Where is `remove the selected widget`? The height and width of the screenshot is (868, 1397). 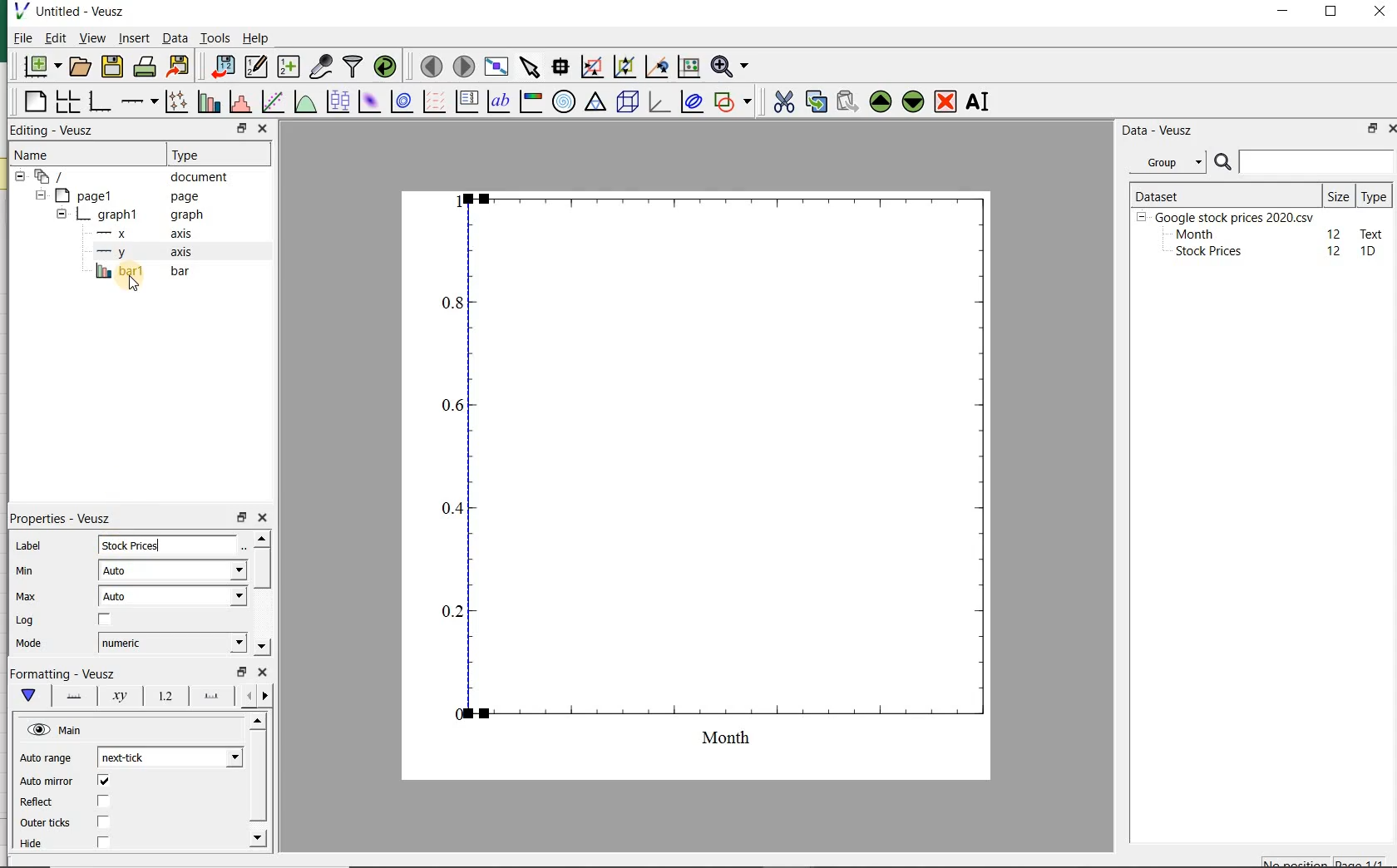
remove the selected widget is located at coordinates (946, 101).